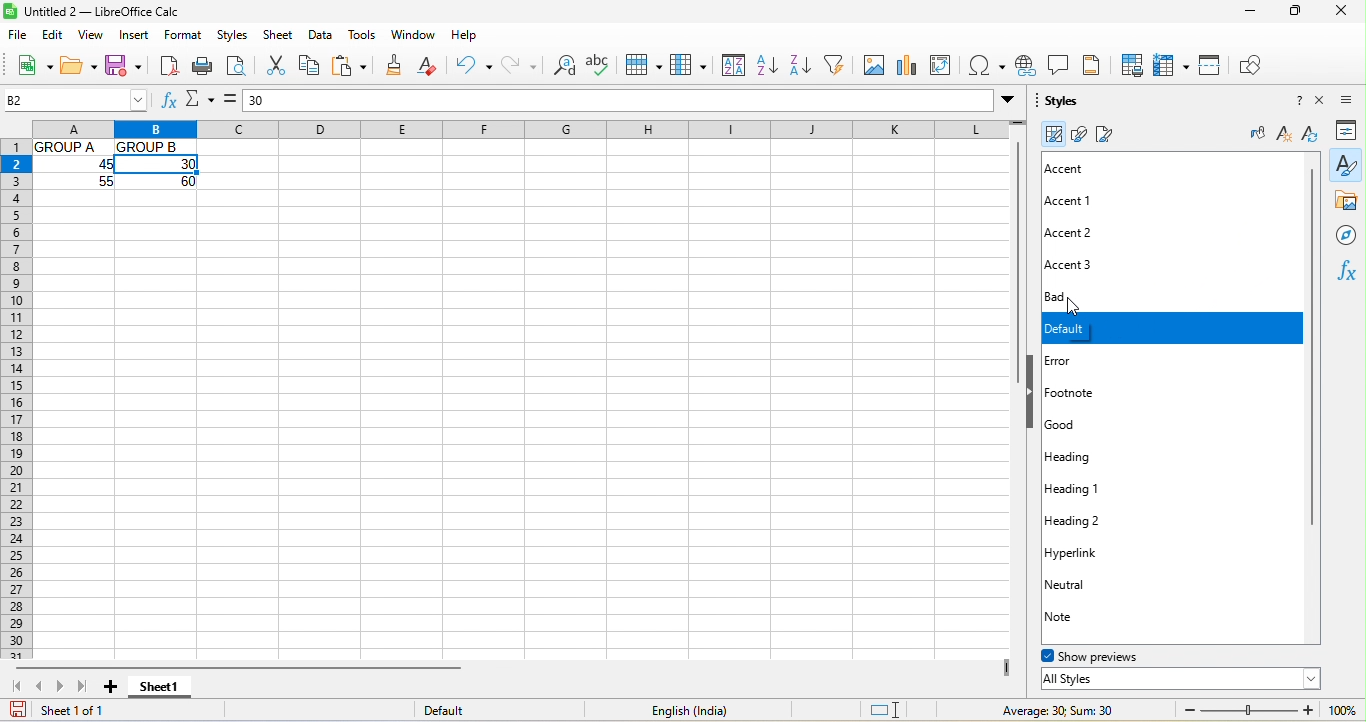 The height and width of the screenshot is (722, 1366). I want to click on vertical scroll bar, so click(1015, 270).